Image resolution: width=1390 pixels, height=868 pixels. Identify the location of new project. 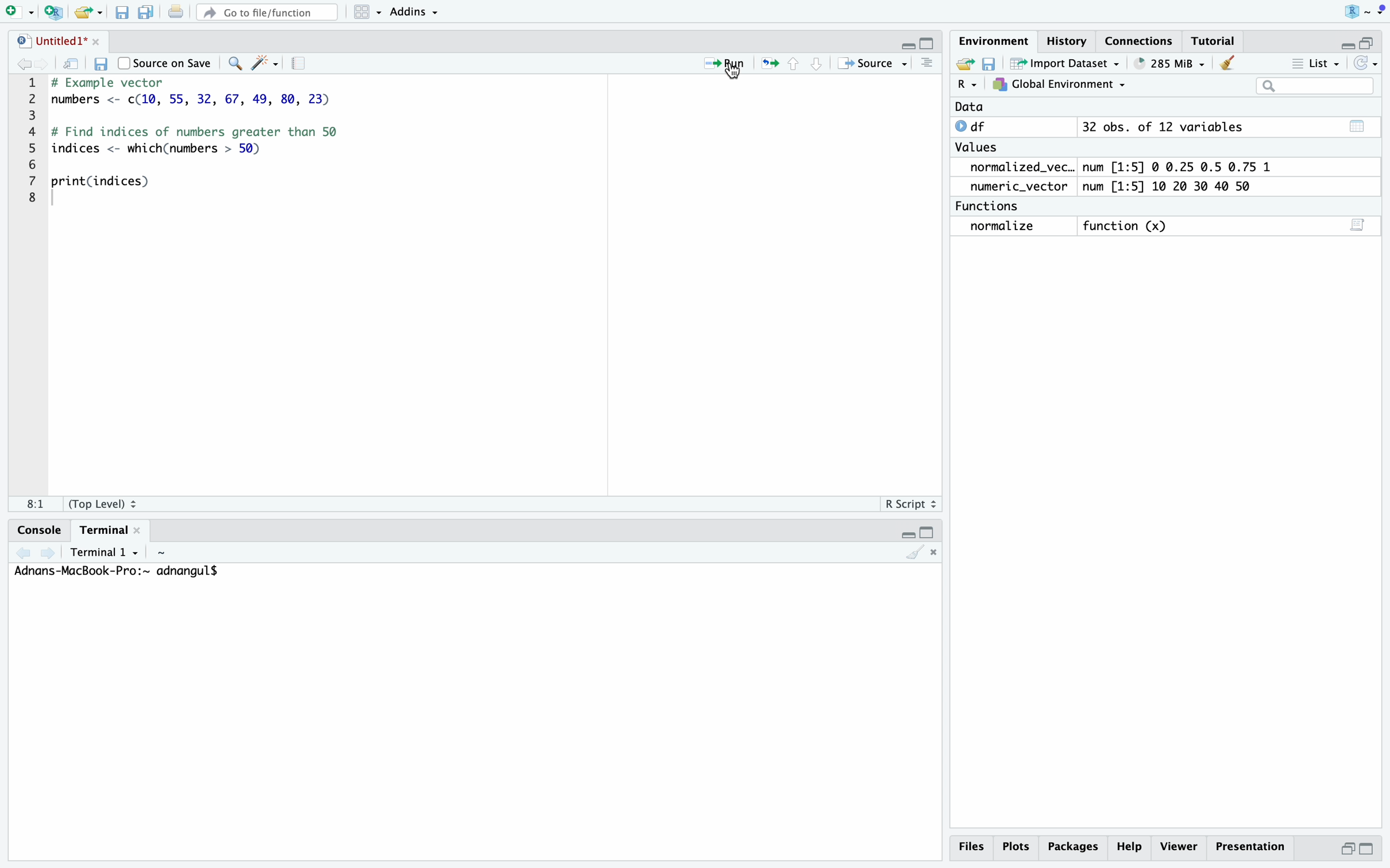
(51, 11).